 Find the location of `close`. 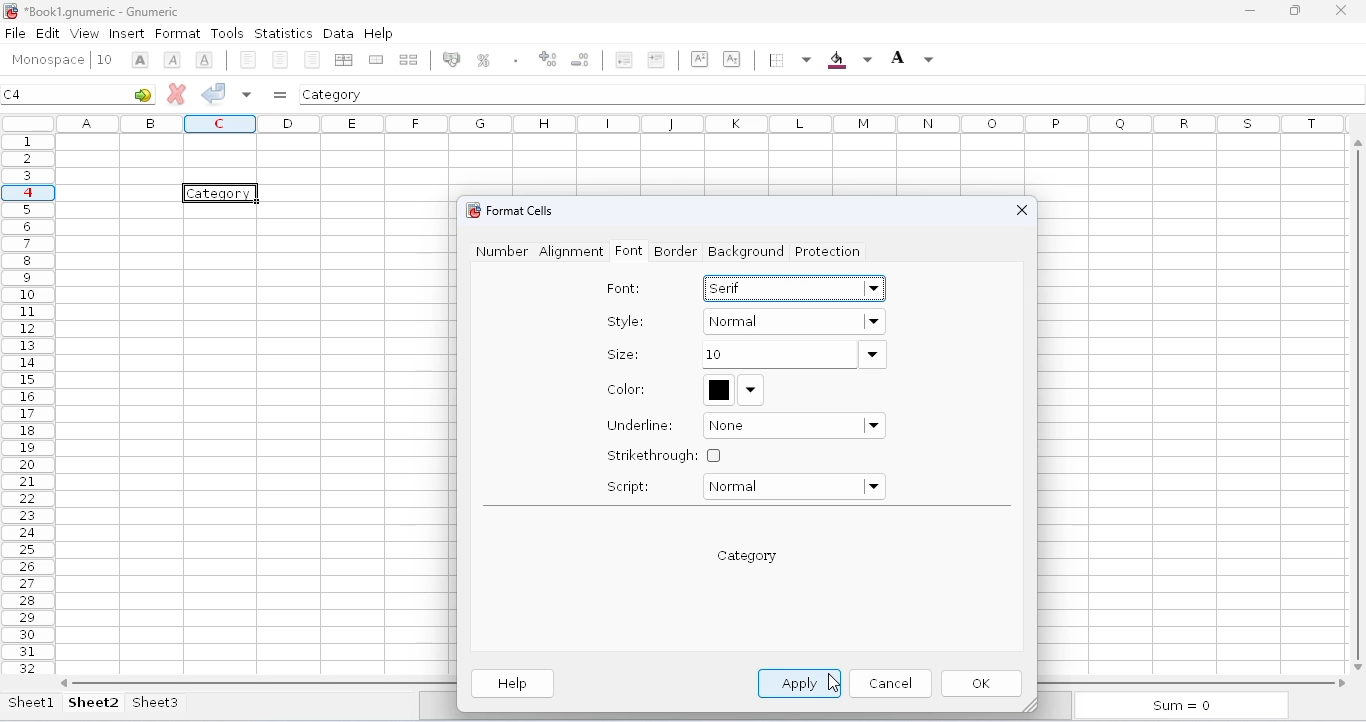

close is located at coordinates (1018, 212).